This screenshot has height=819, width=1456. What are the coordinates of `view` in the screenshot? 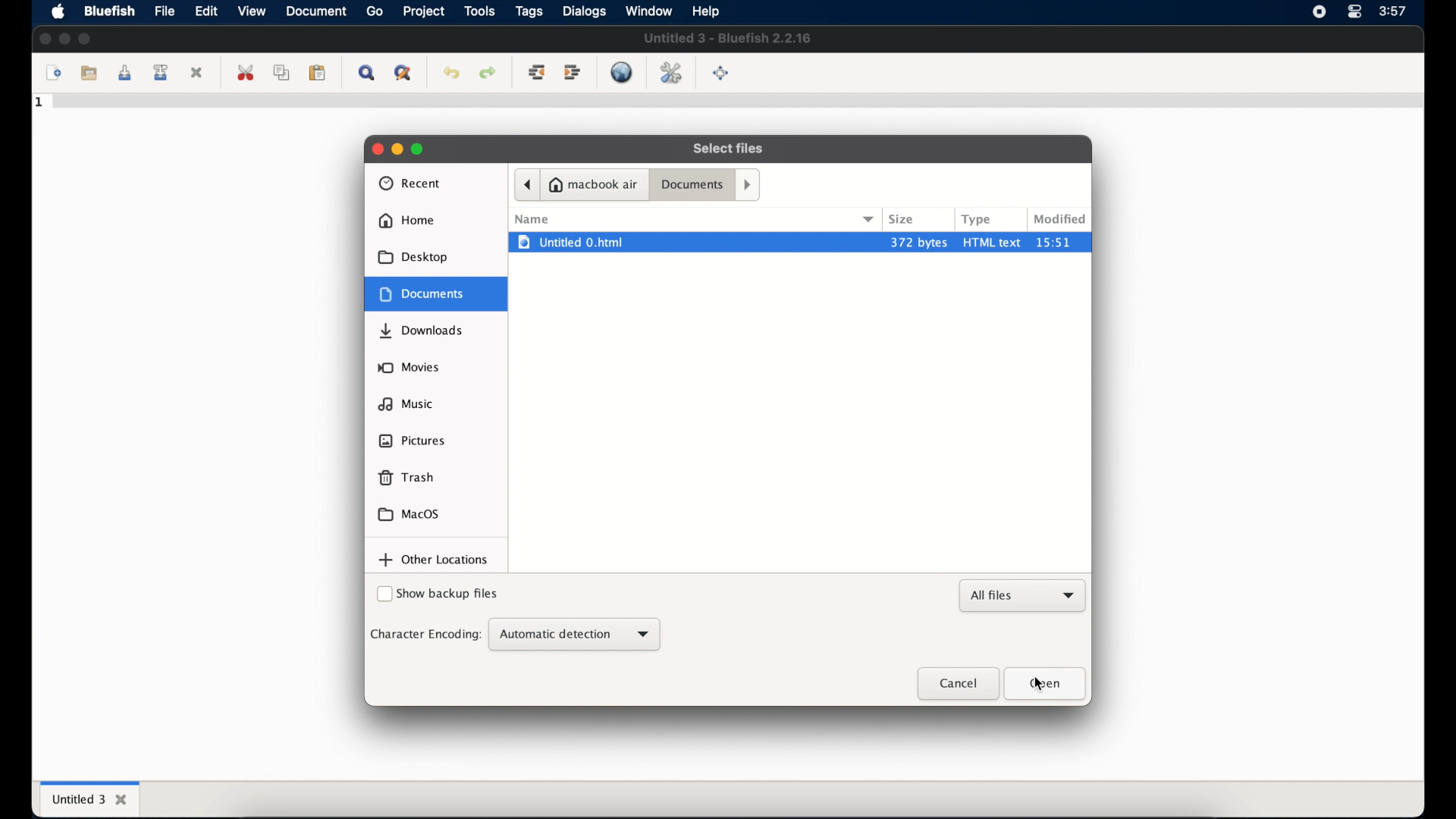 It's located at (251, 11).